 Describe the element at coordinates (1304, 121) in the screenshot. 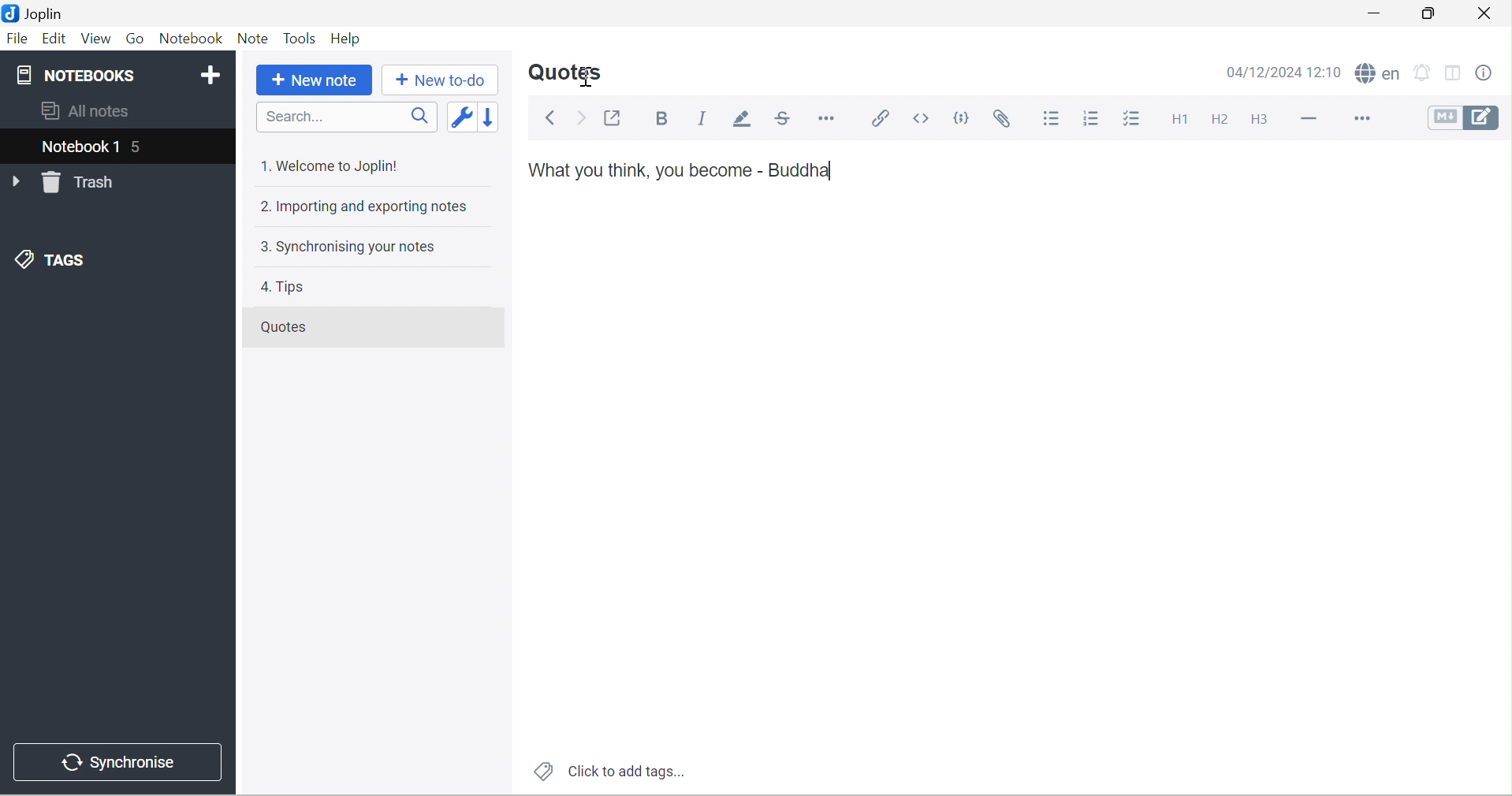

I see `Horizontal line` at that location.